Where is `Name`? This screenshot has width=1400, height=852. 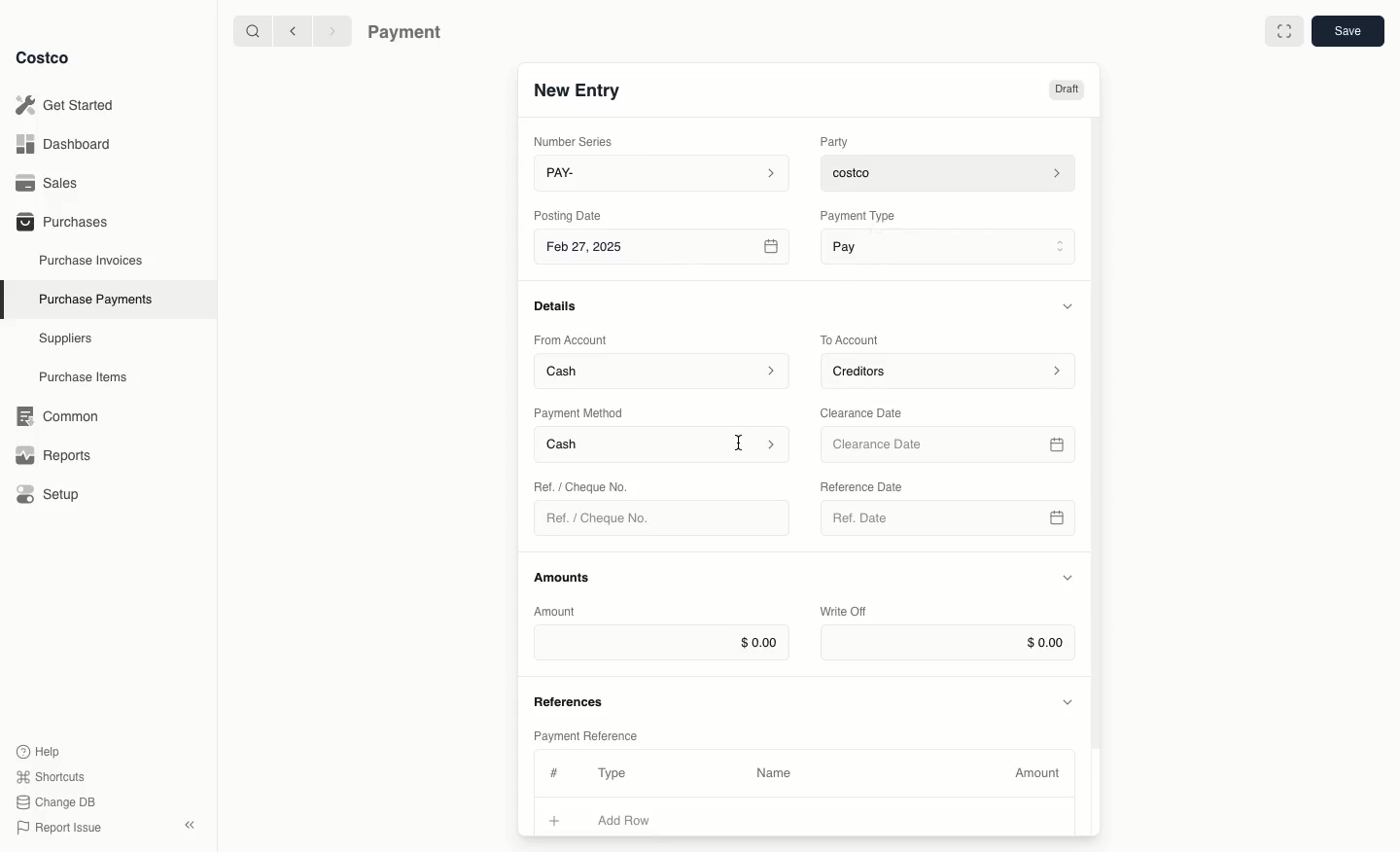 Name is located at coordinates (774, 773).